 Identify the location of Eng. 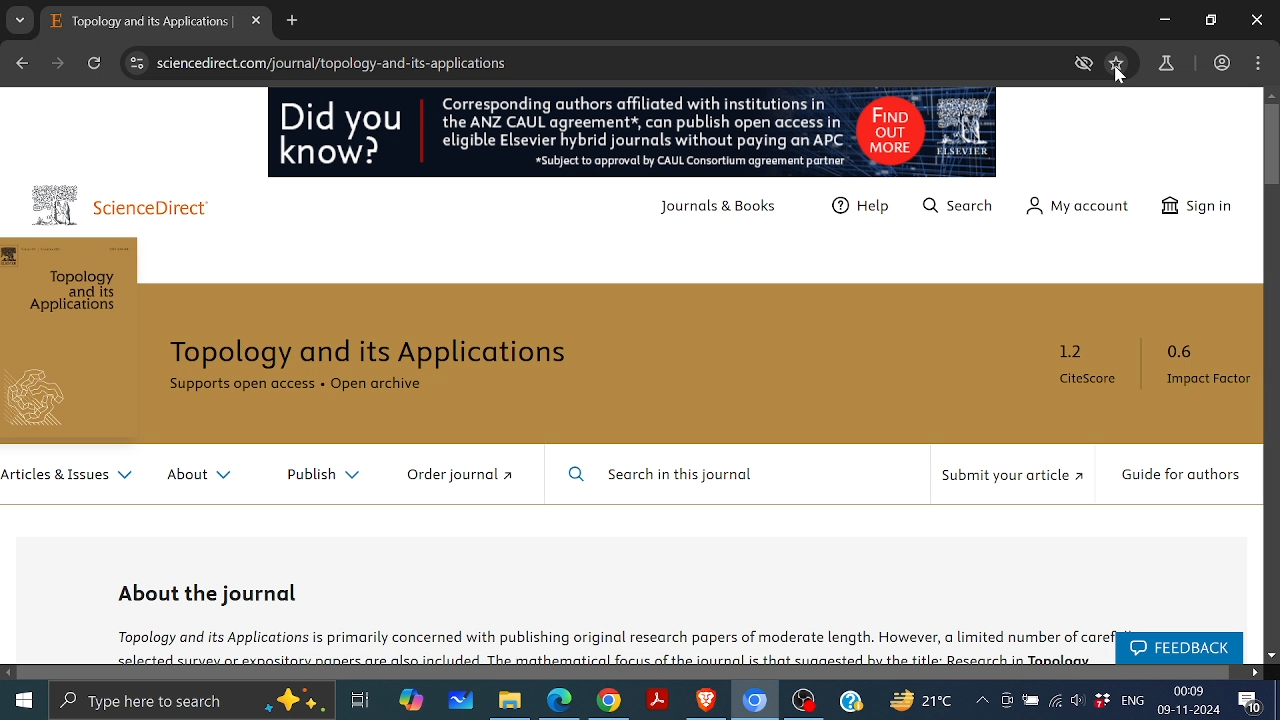
(1133, 700).